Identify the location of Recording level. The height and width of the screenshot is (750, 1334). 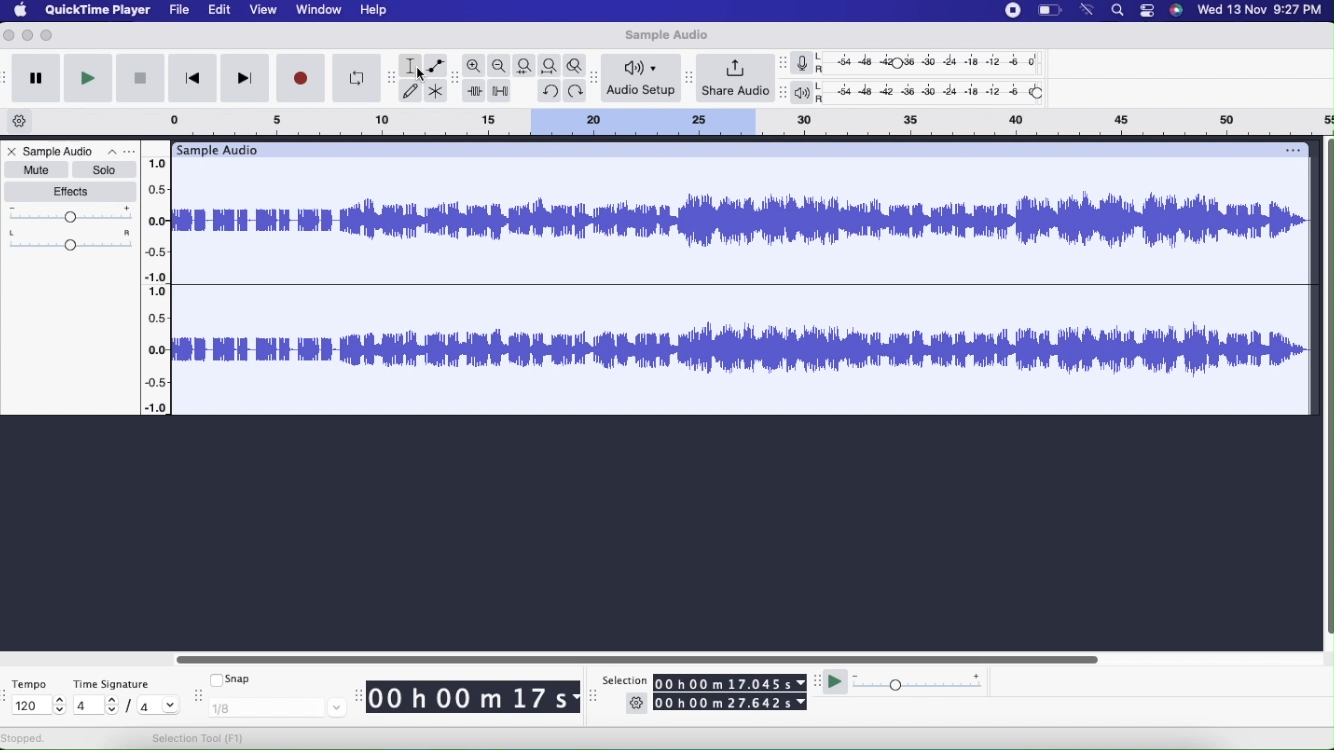
(937, 65).